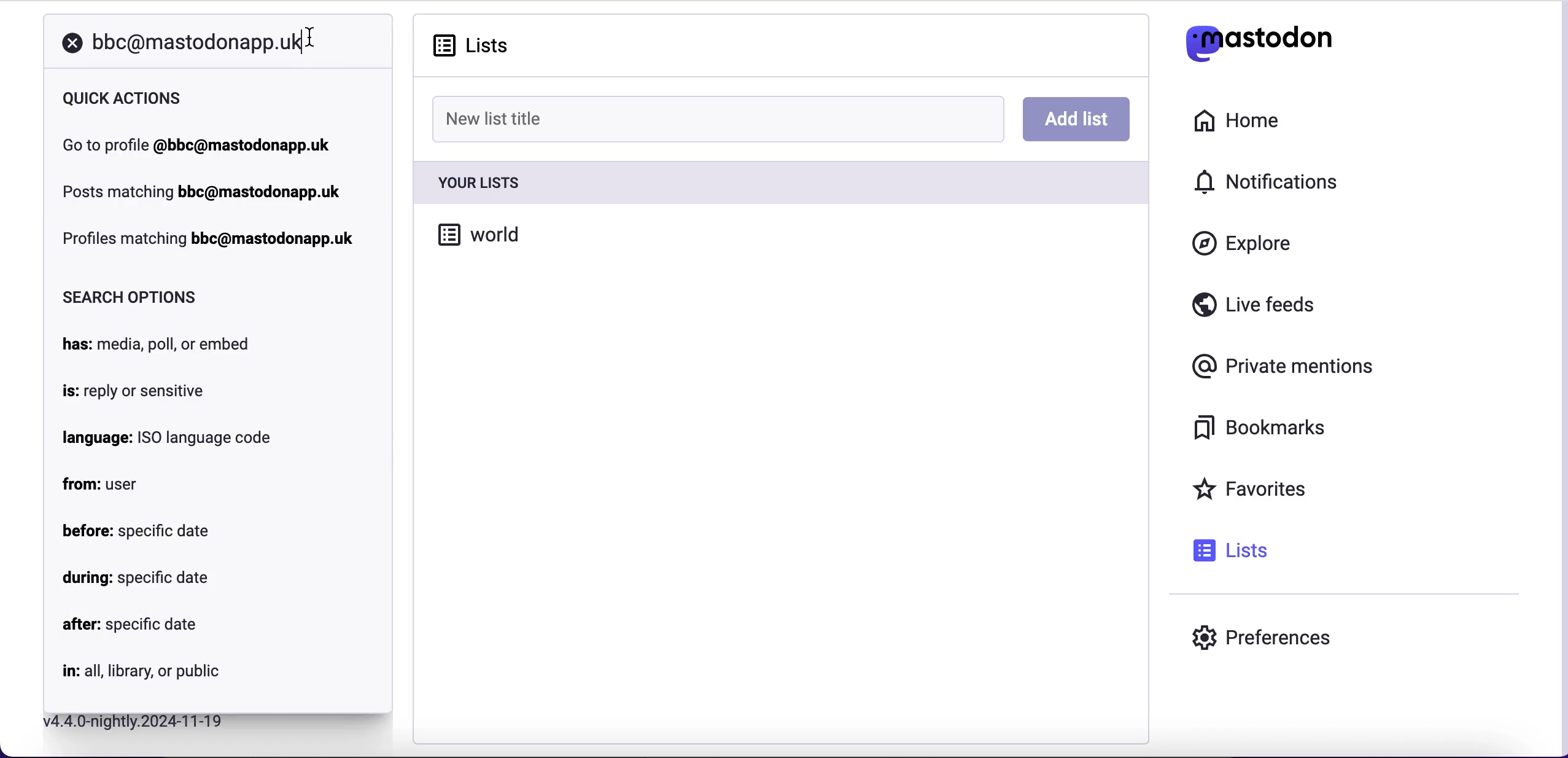 The height and width of the screenshot is (758, 1568). Describe the element at coordinates (197, 145) in the screenshot. I see `go to profile` at that location.